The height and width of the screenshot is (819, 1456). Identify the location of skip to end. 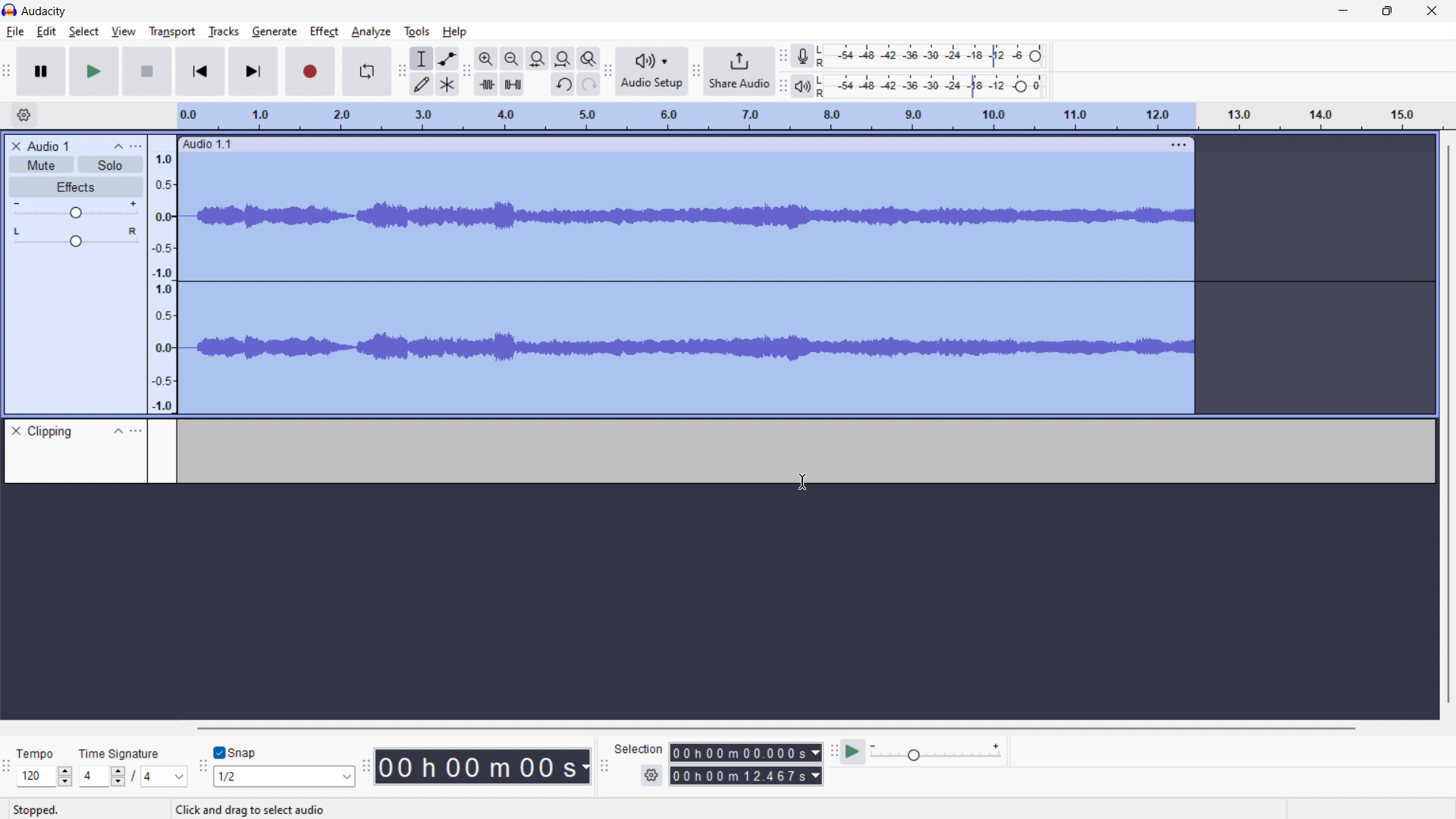
(254, 71).